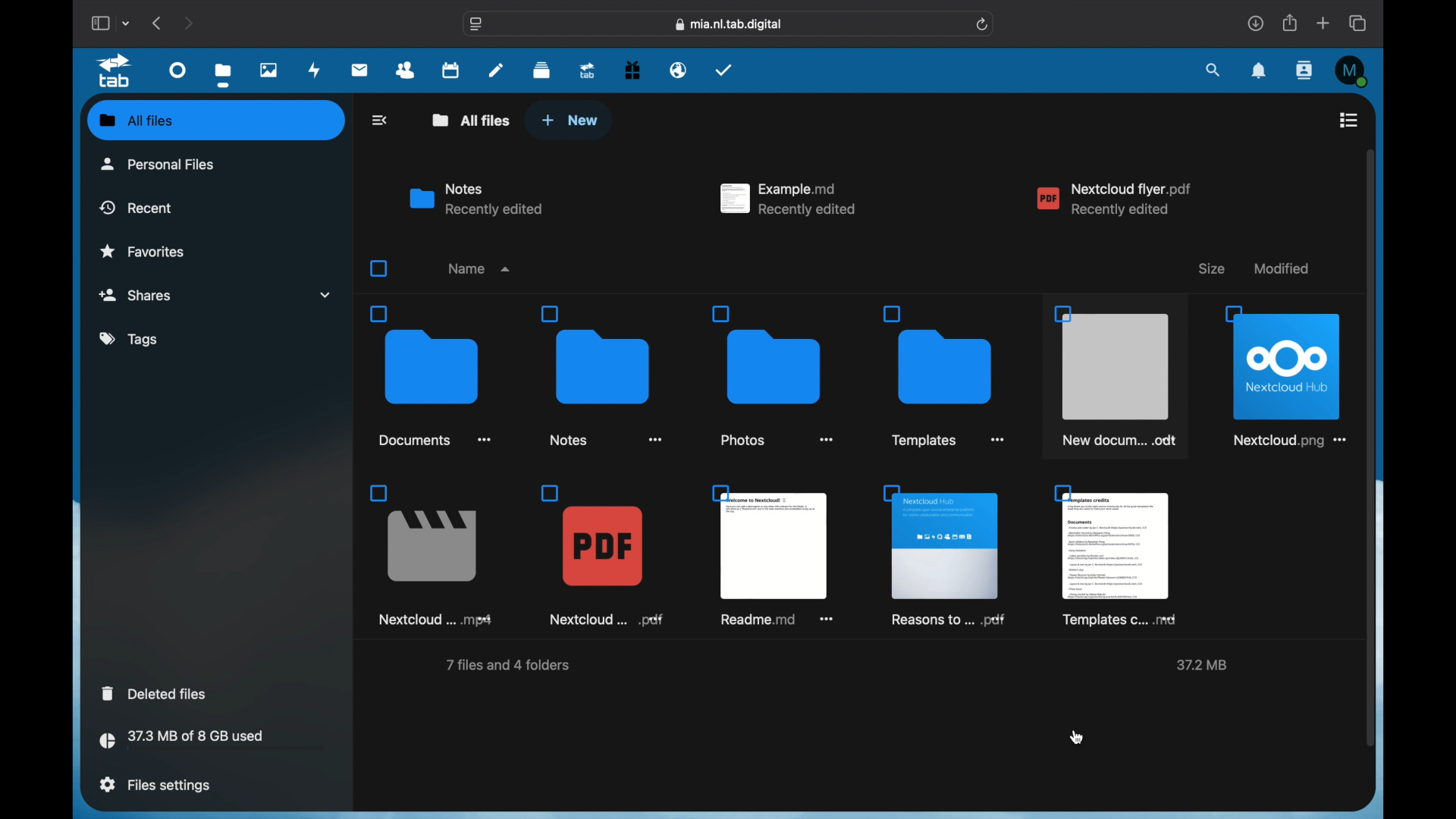 This screenshot has width=1456, height=819. What do you see at coordinates (143, 250) in the screenshot?
I see `favorites` at bounding box center [143, 250].